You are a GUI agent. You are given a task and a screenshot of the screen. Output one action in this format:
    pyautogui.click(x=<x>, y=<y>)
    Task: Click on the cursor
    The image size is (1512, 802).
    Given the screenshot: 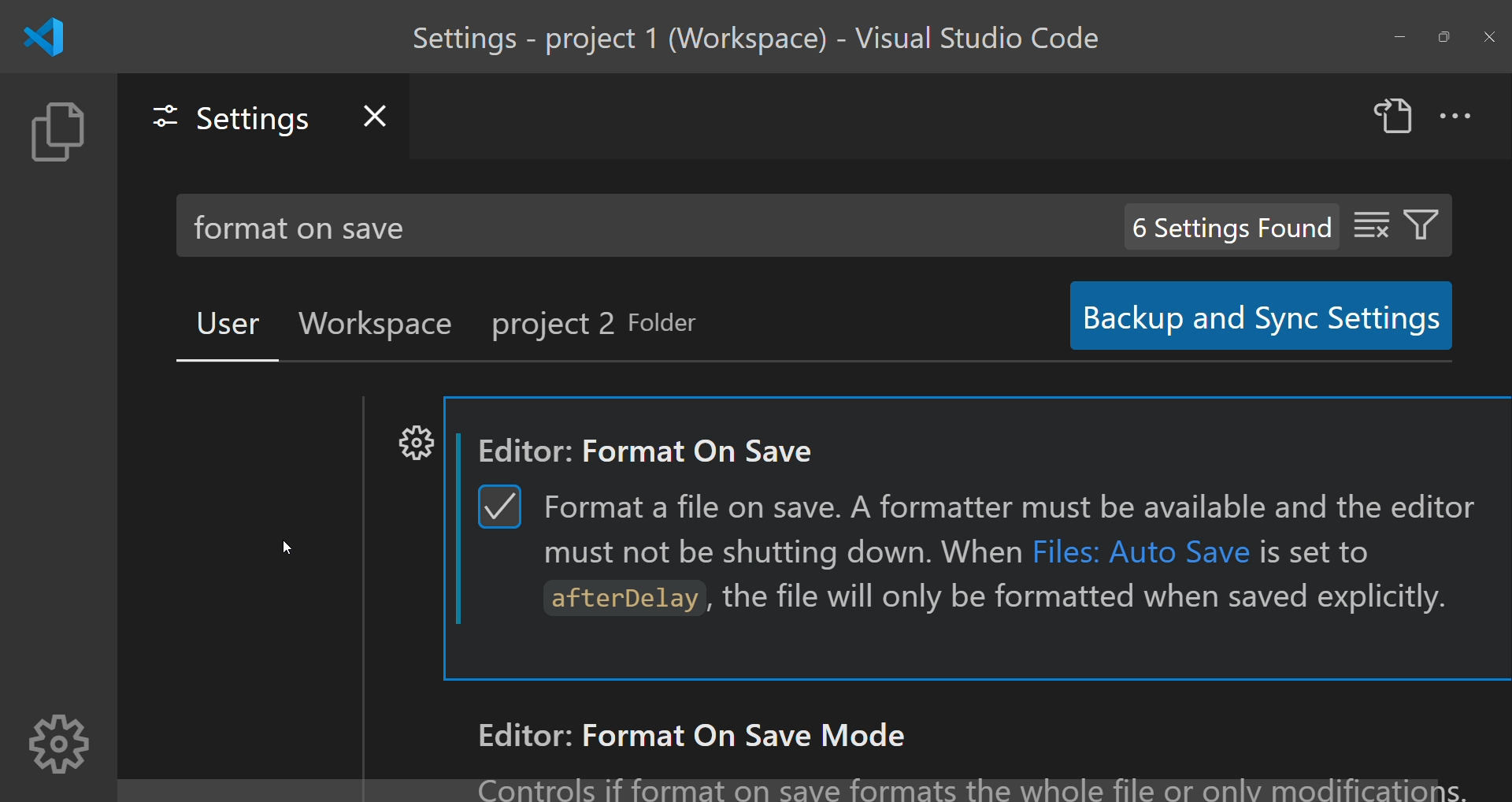 What is the action you would take?
    pyautogui.click(x=288, y=551)
    